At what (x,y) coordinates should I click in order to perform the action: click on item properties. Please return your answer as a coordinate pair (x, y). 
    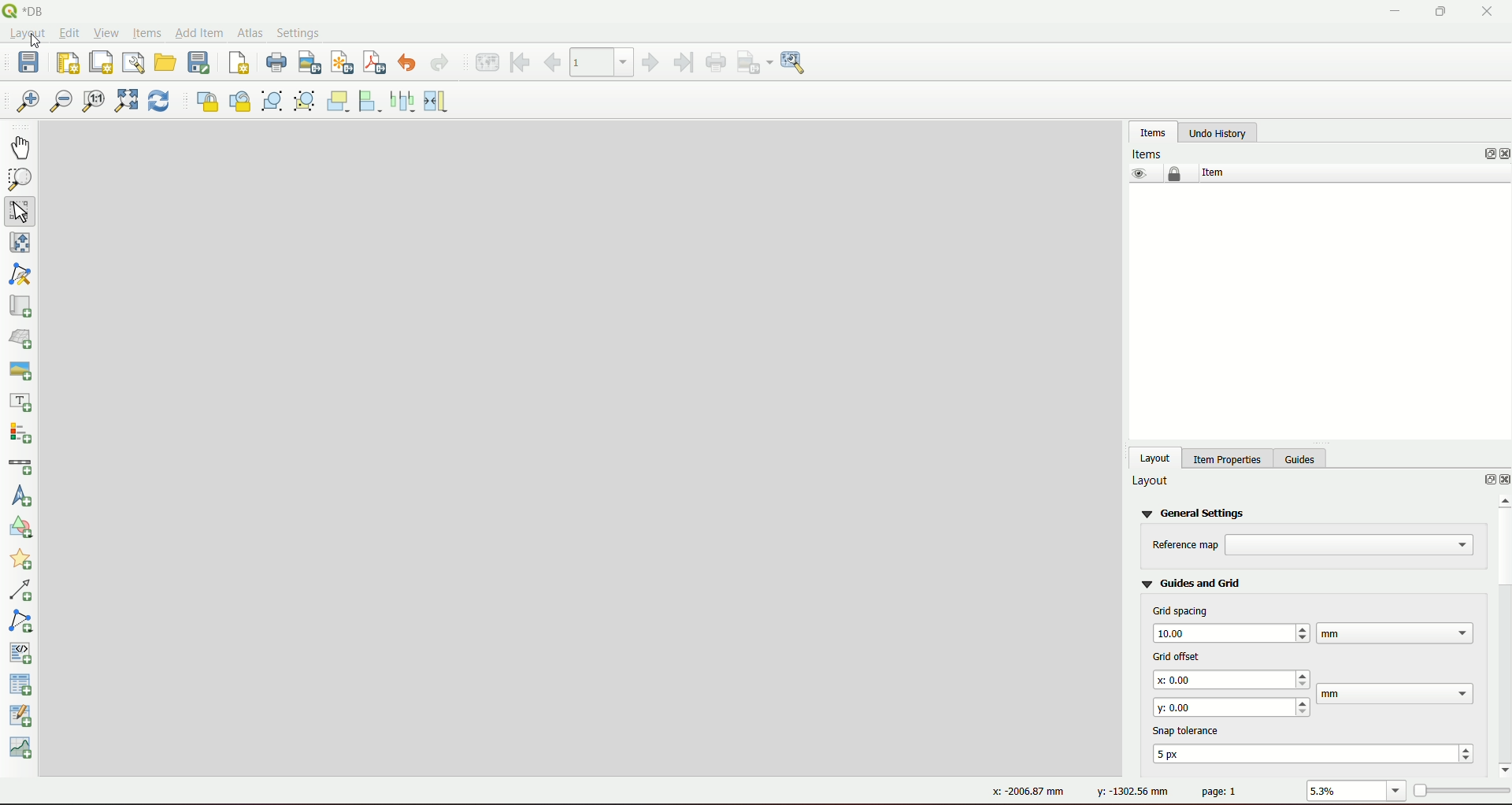
    Looking at the image, I should click on (1225, 457).